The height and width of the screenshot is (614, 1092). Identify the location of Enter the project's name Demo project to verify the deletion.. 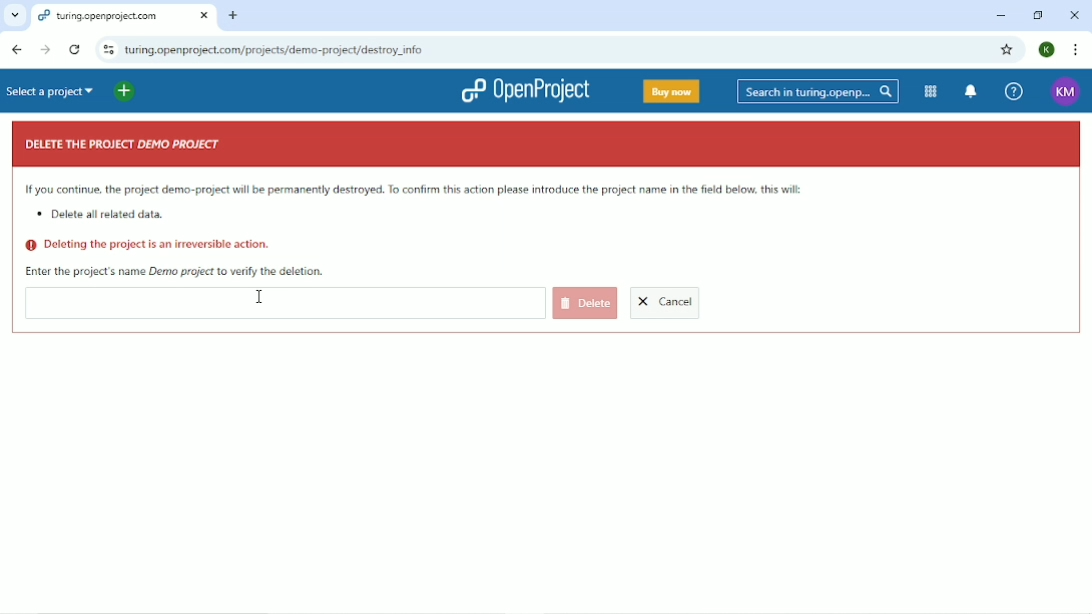
(175, 271).